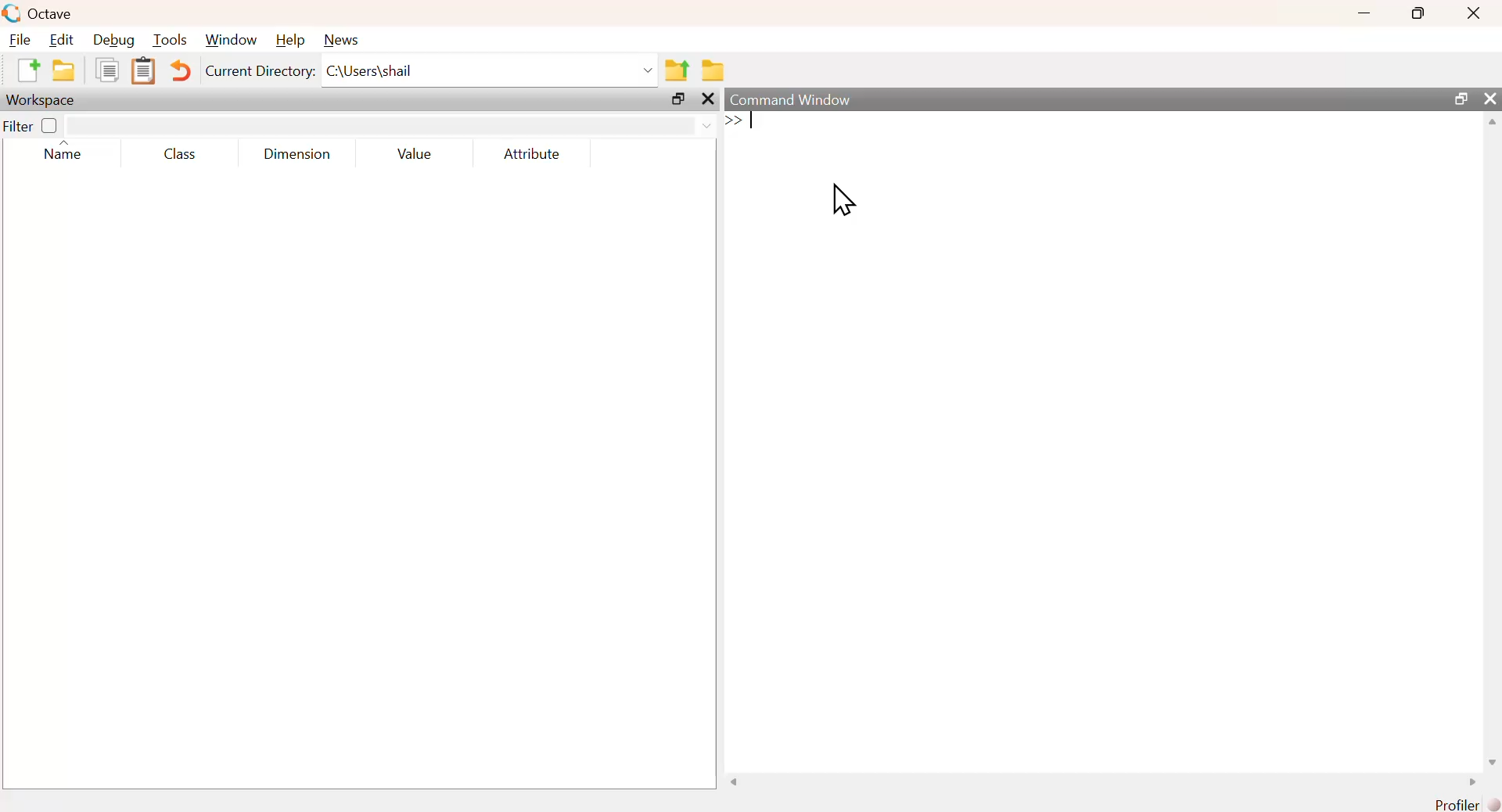 The width and height of the screenshot is (1502, 812). I want to click on help, so click(289, 40).